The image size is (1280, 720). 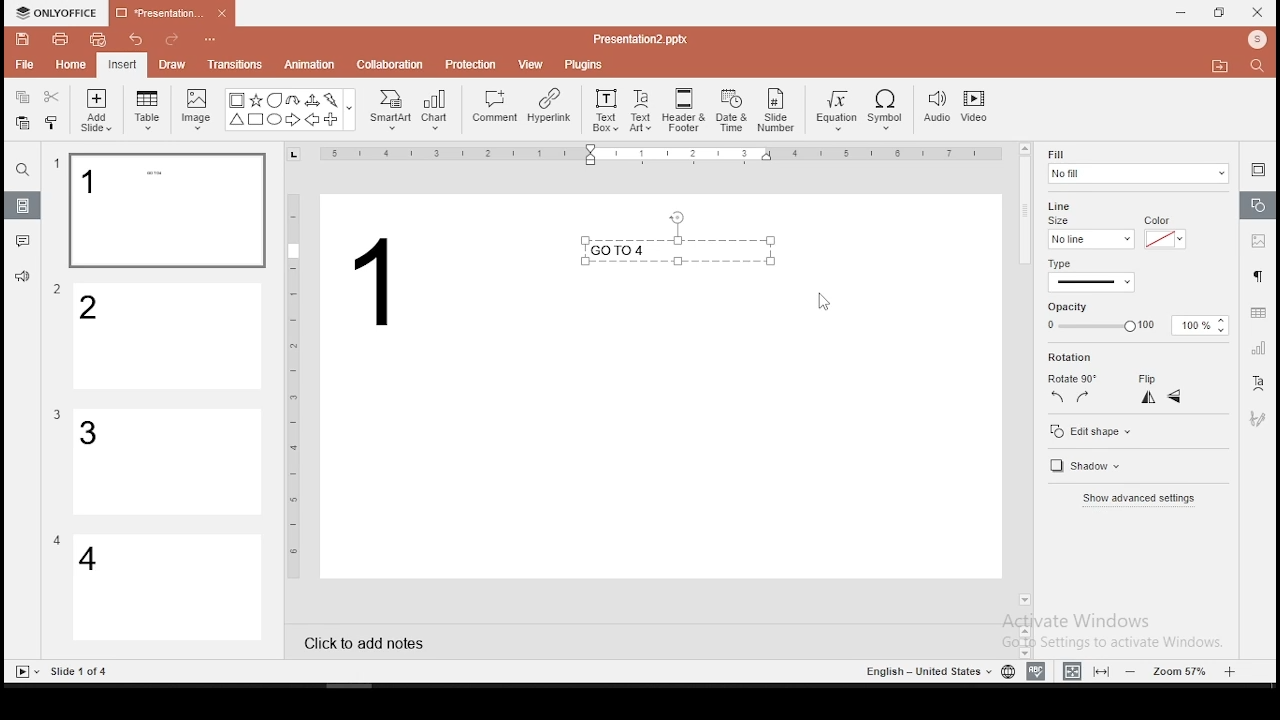 I want to click on Arrow Right, so click(x=294, y=121).